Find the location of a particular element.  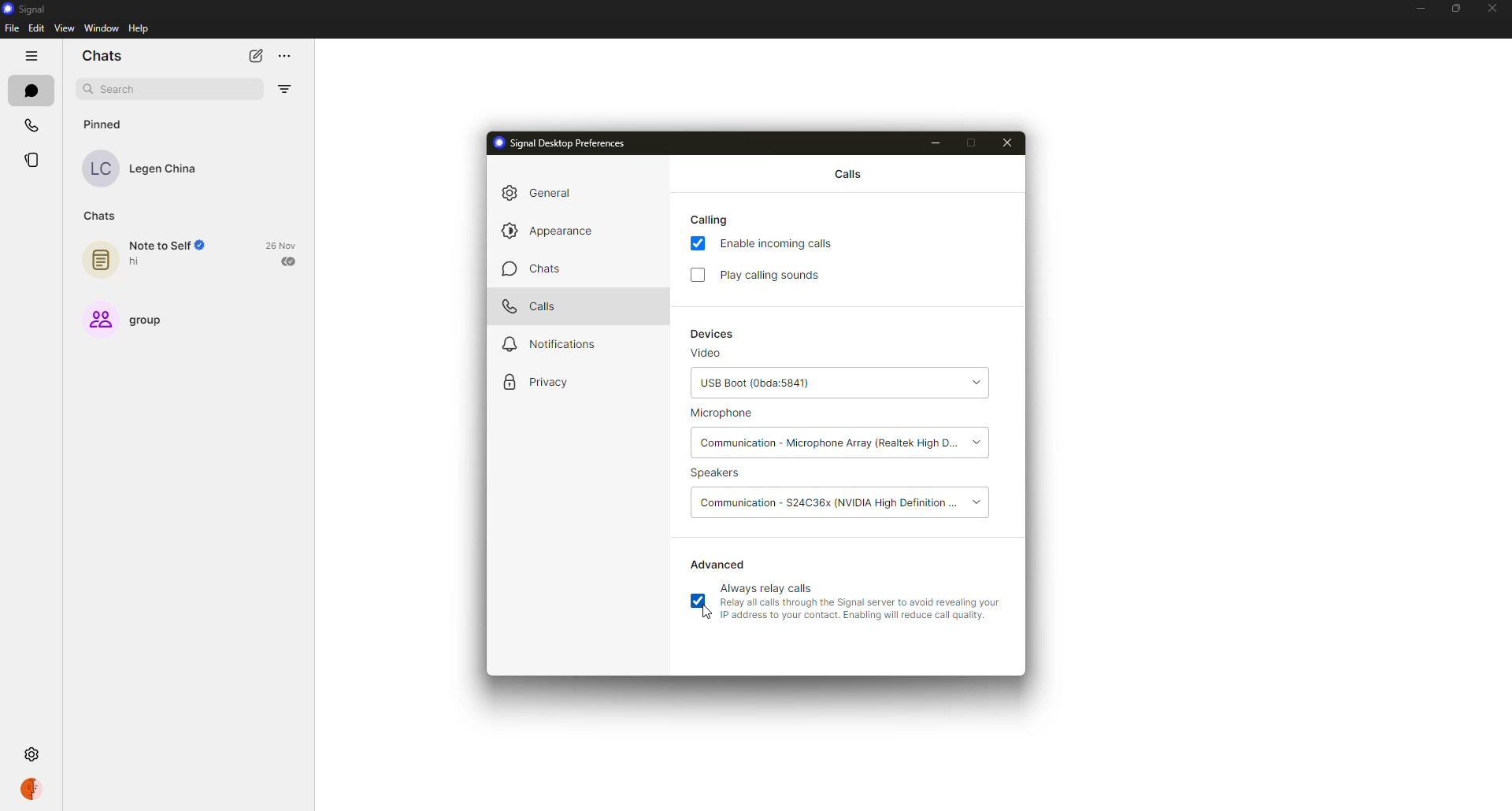

hide tabs is located at coordinates (31, 56).